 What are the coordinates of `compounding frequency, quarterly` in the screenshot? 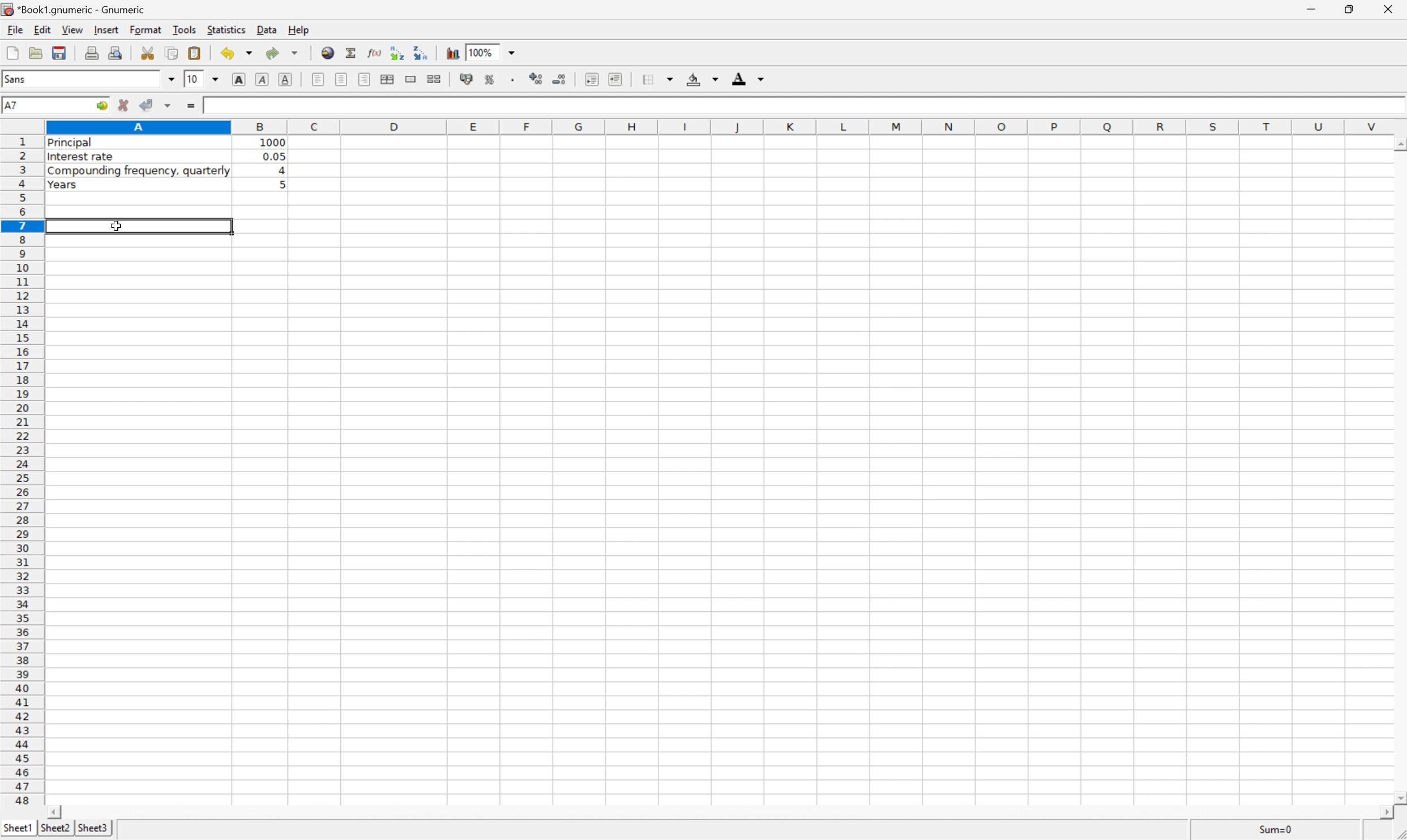 It's located at (136, 172).